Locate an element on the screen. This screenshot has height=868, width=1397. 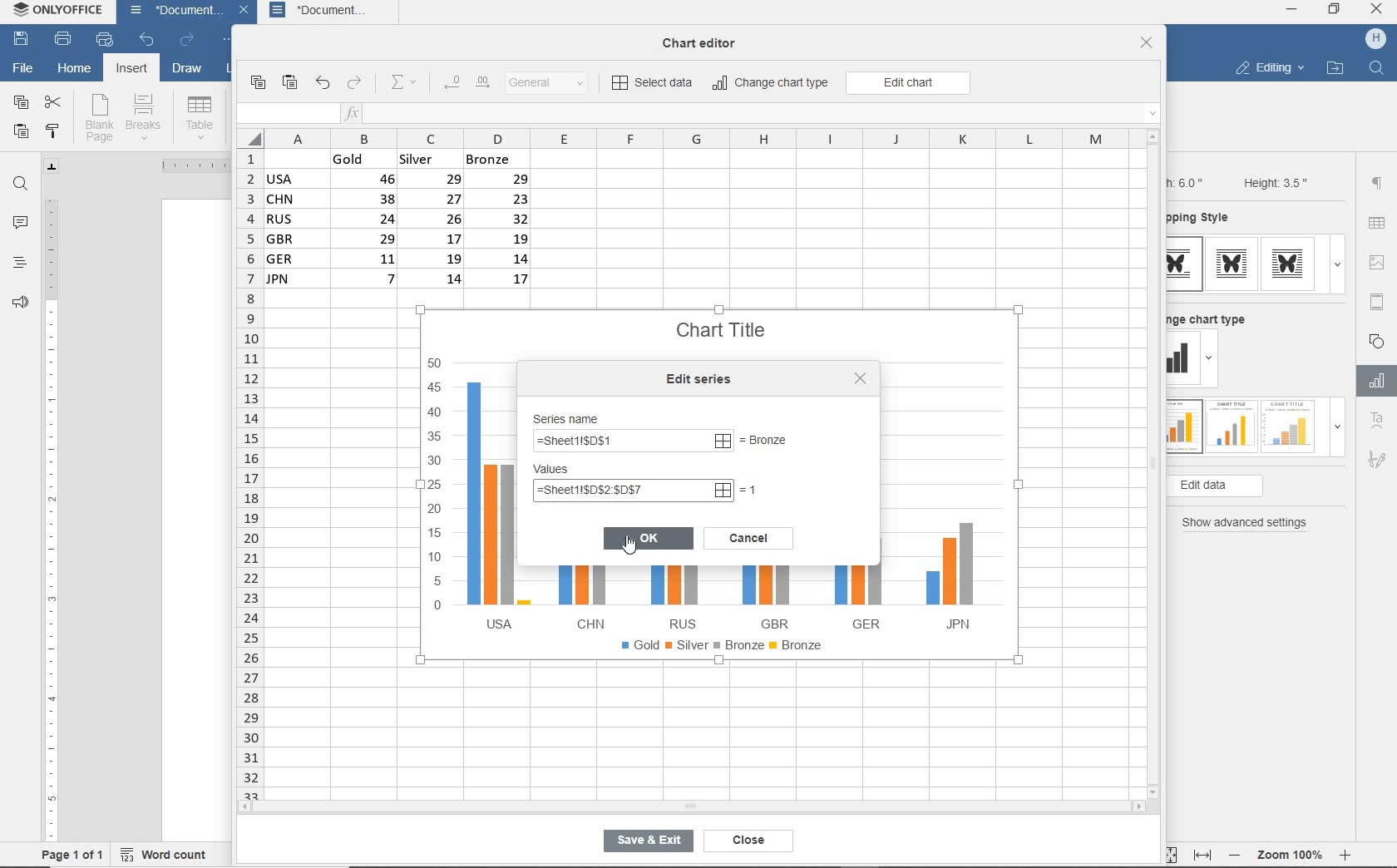
hp is located at coordinates (1376, 39).